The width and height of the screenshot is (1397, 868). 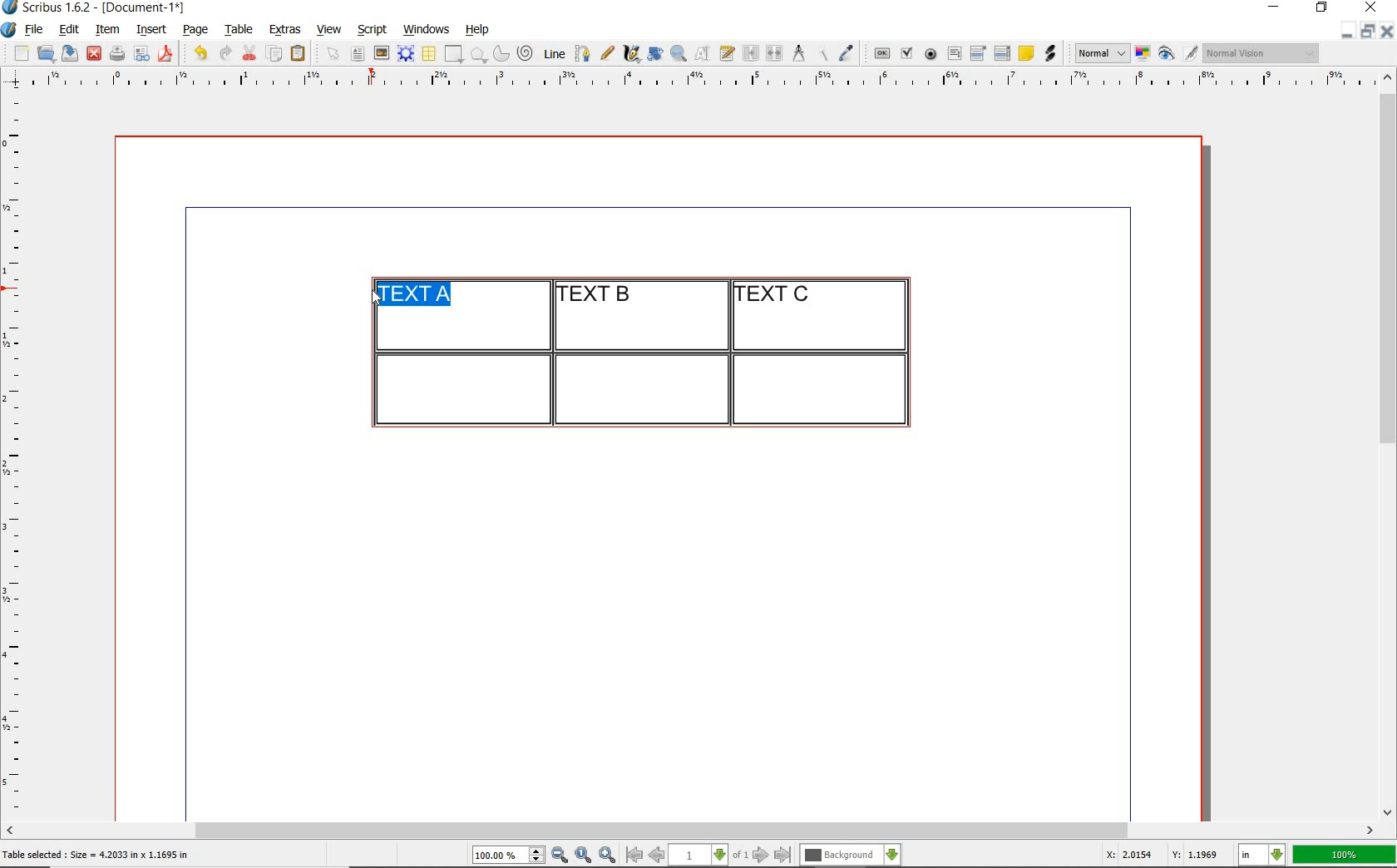 What do you see at coordinates (708, 855) in the screenshot?
I see `select current page level` at bounding box center [708, 855].